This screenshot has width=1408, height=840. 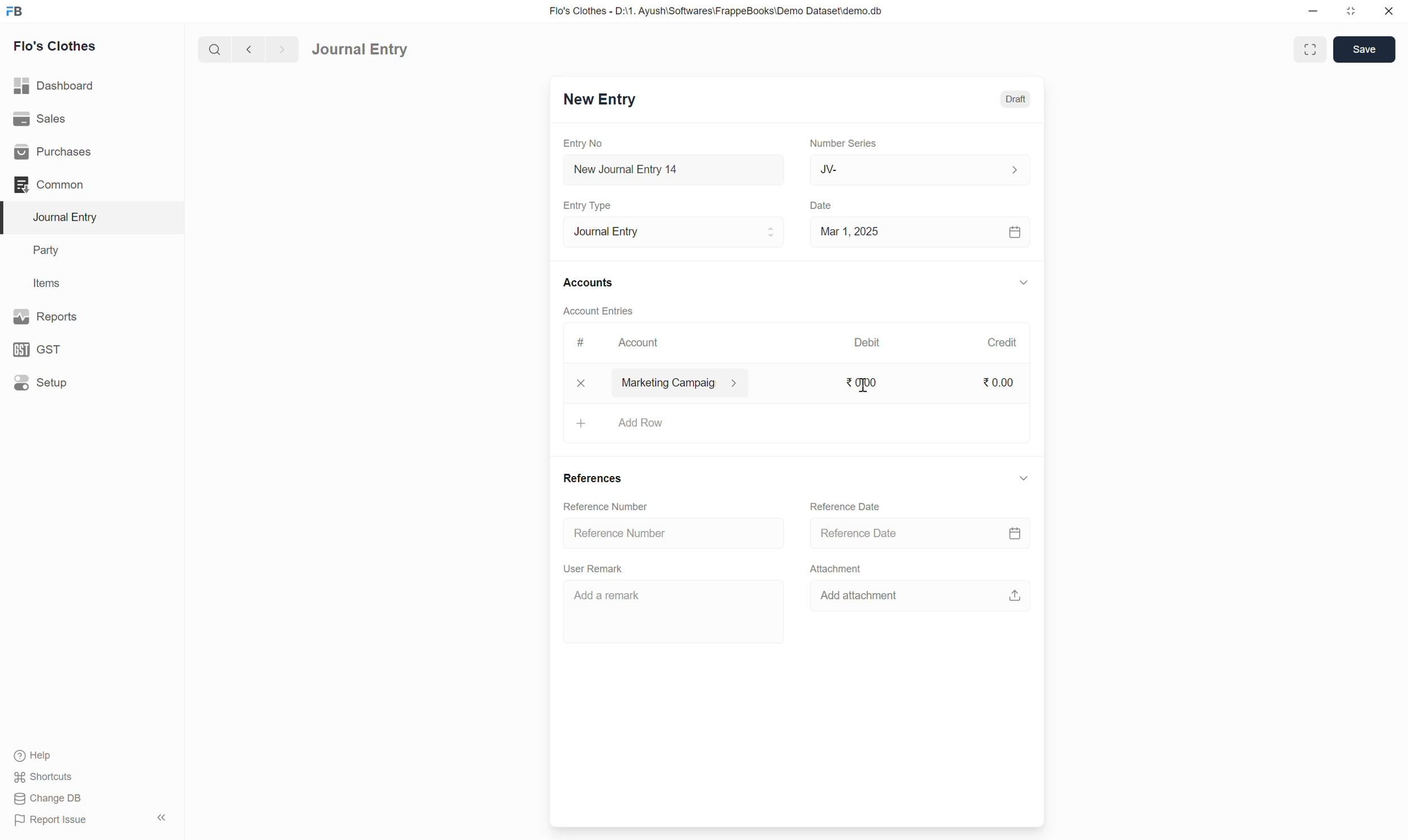 What do you see at coordinates (674, 231) in the screenshot?
I see `Journal Entry` at bounding box center [674, 231].